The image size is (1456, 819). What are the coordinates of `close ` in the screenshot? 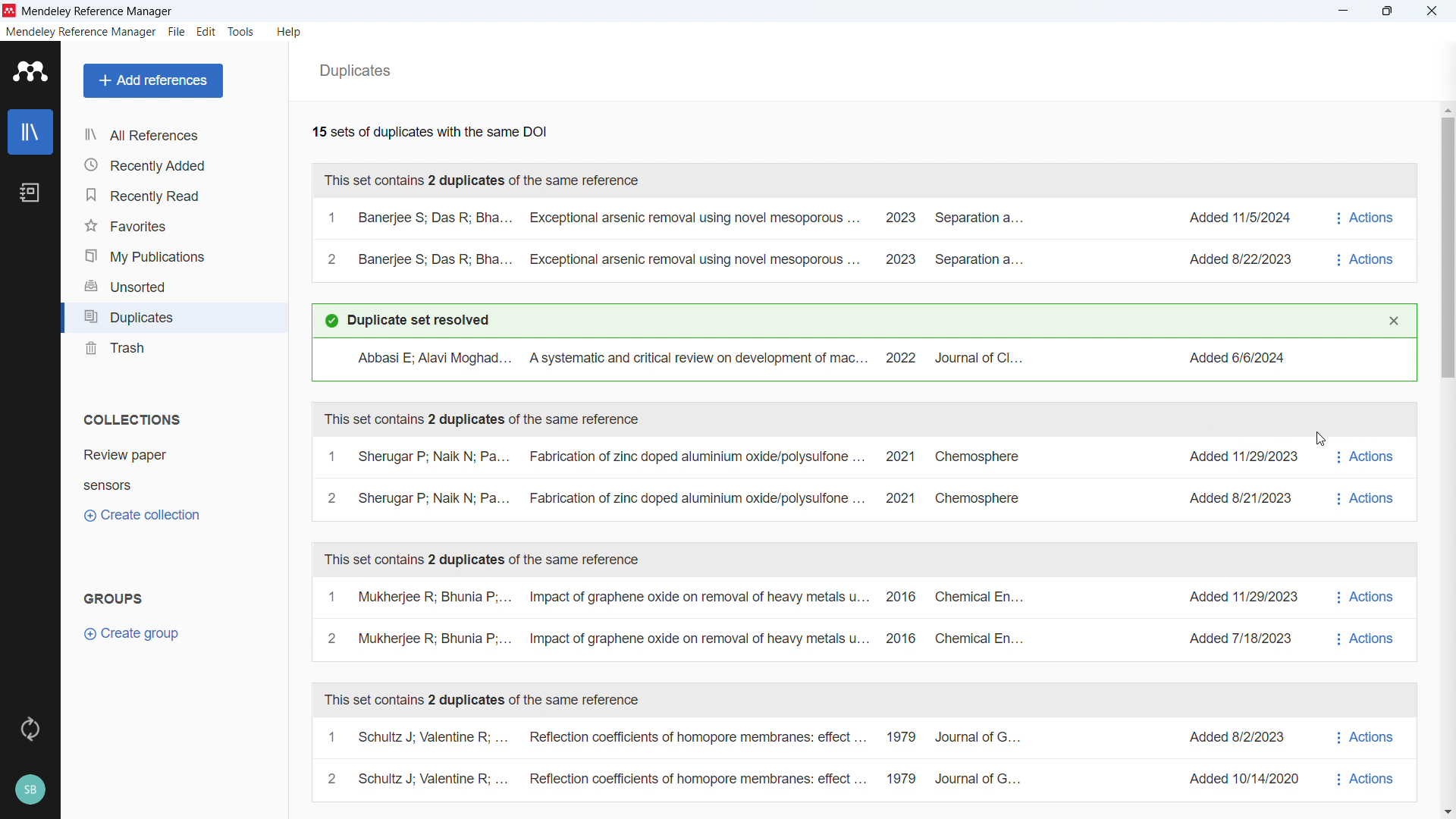 It's located at (1431, 11).